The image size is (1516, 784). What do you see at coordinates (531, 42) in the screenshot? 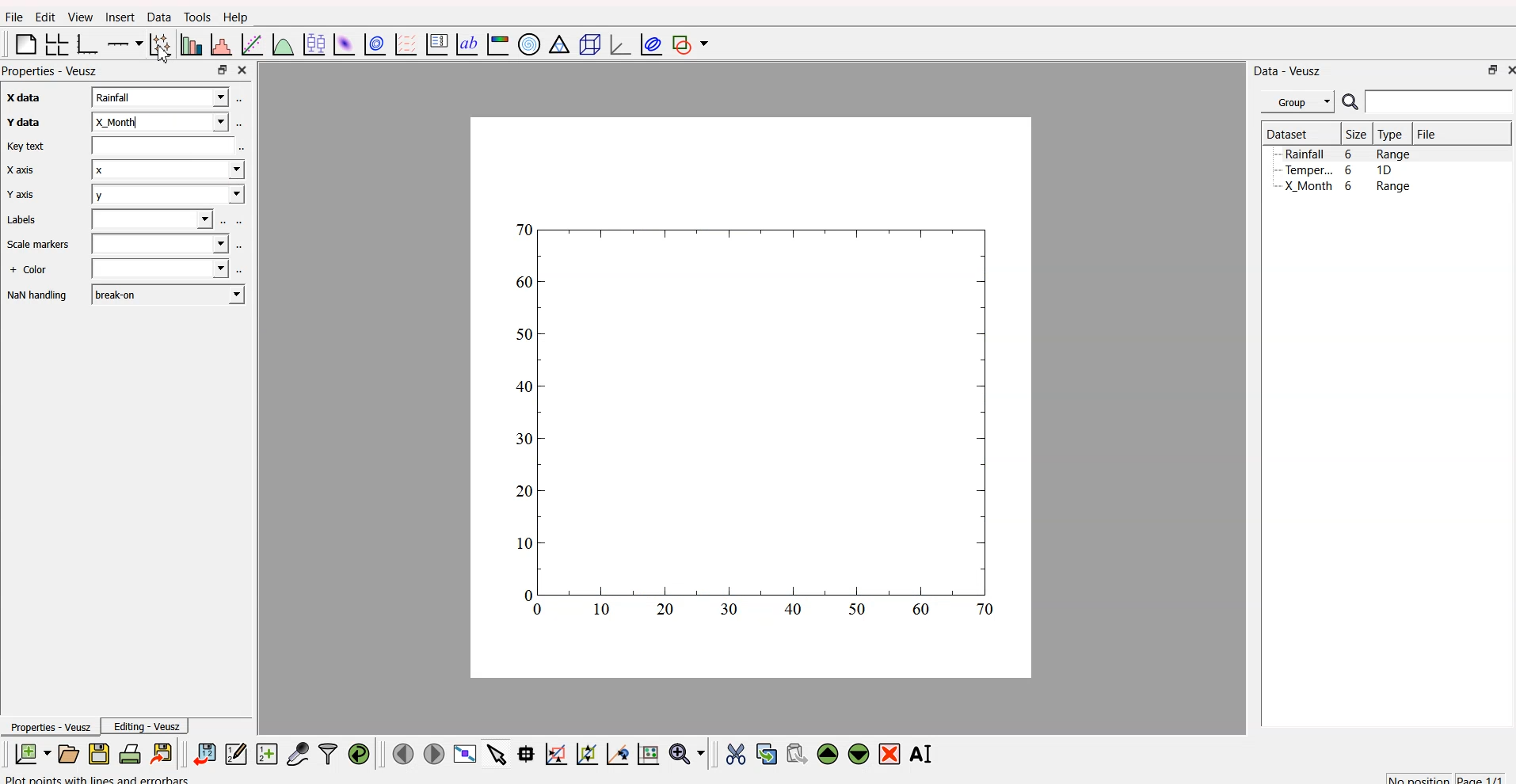
I see `polar graph` at bounding box center [531, 42].